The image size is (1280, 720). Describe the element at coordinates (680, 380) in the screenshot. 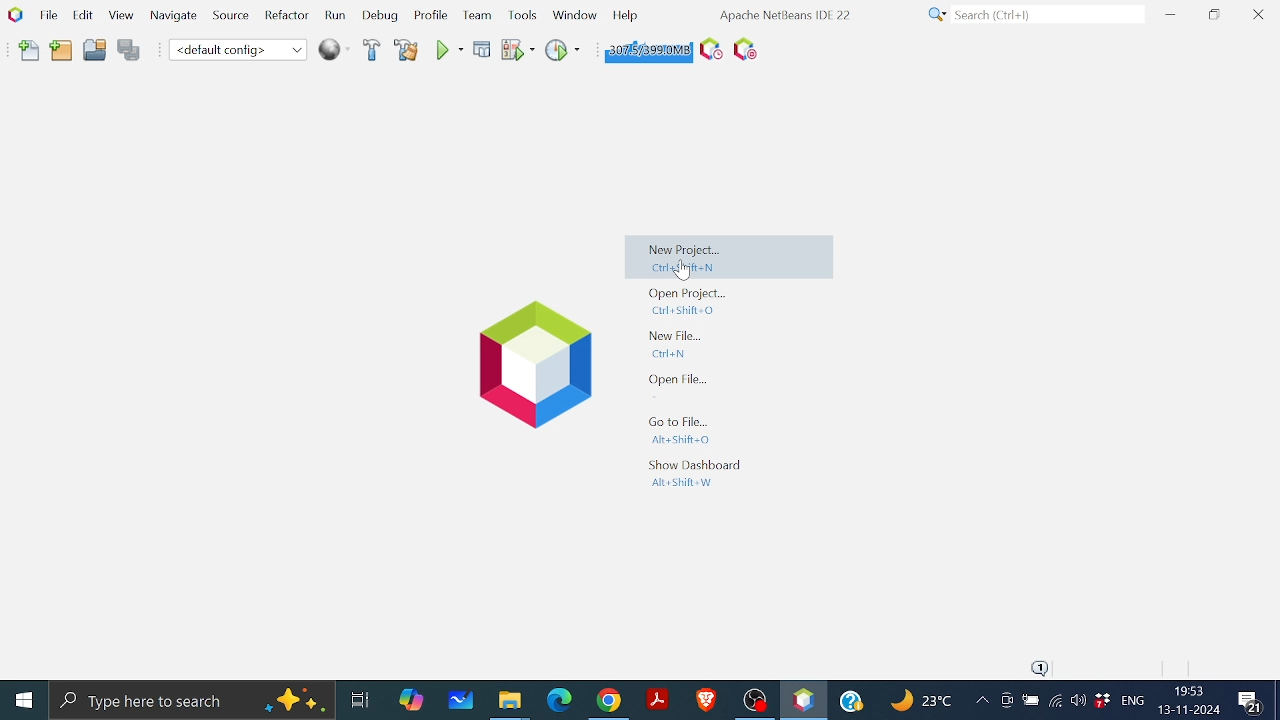

I see `Open file` at that location.